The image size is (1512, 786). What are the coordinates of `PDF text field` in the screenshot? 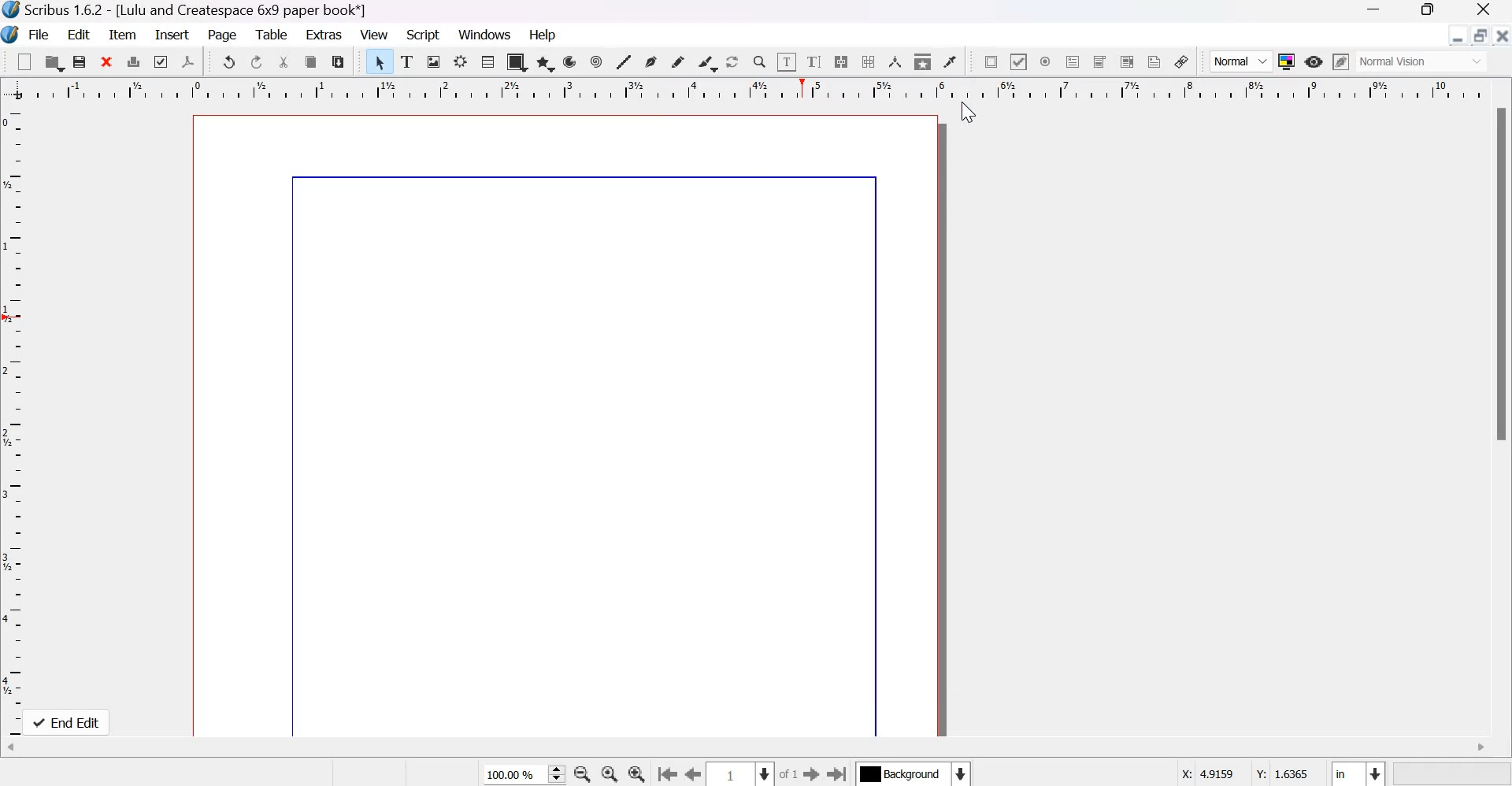 It's located at (1073, 61).